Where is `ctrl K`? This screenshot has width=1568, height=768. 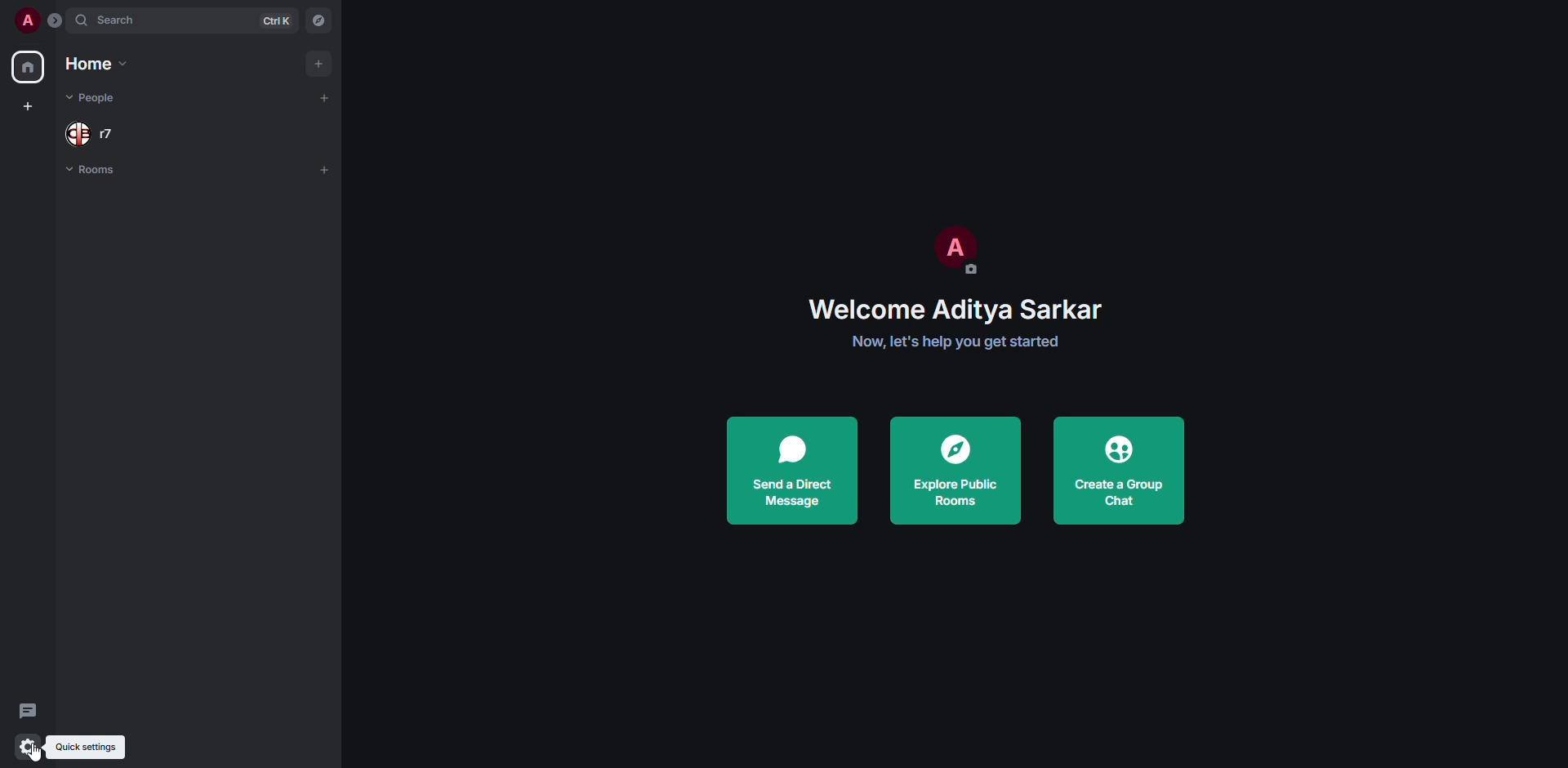
ctrl K is located at coordinates (276, 21).